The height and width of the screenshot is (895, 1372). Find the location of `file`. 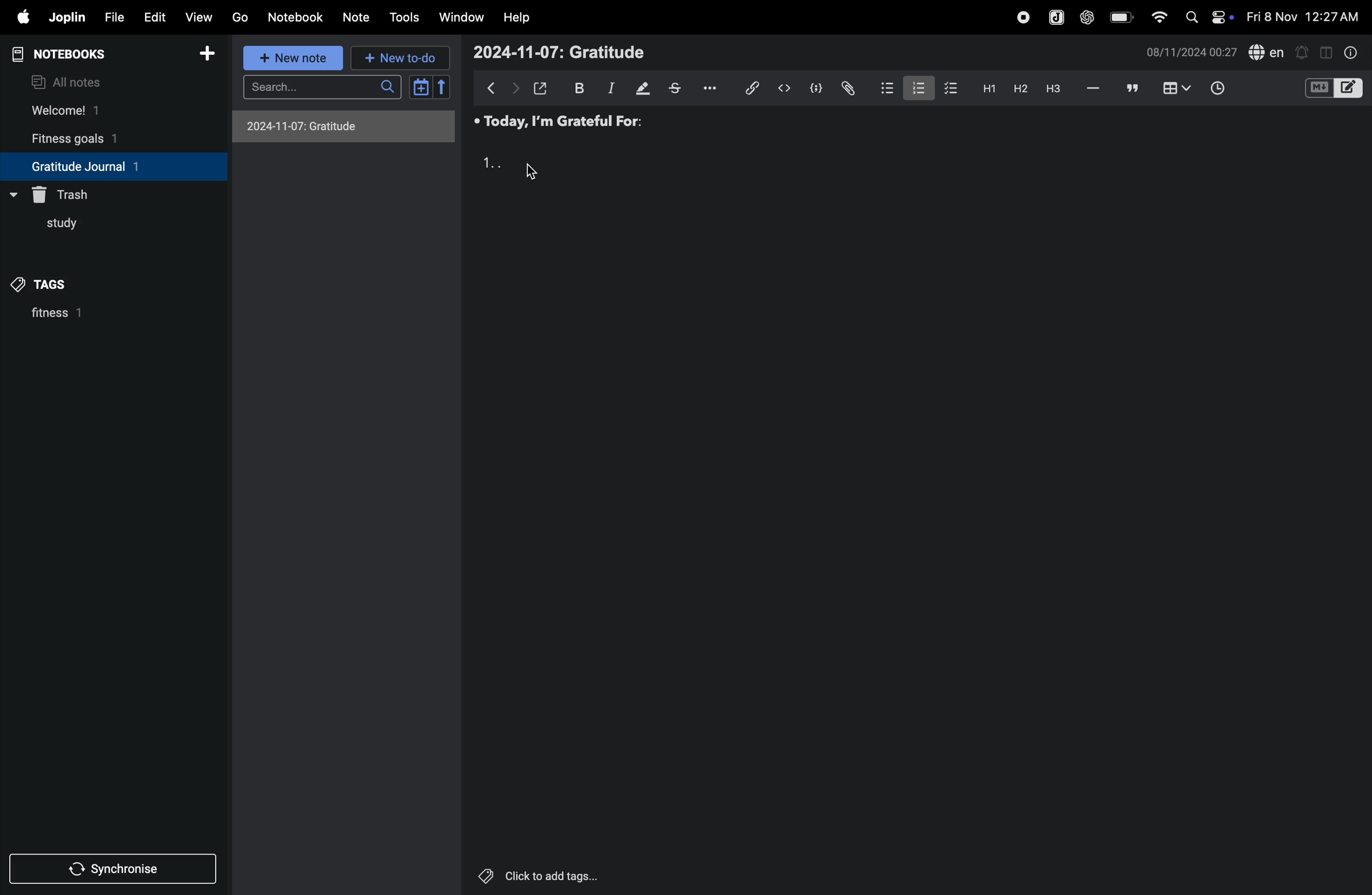

file is located at coordinates (114, 17).